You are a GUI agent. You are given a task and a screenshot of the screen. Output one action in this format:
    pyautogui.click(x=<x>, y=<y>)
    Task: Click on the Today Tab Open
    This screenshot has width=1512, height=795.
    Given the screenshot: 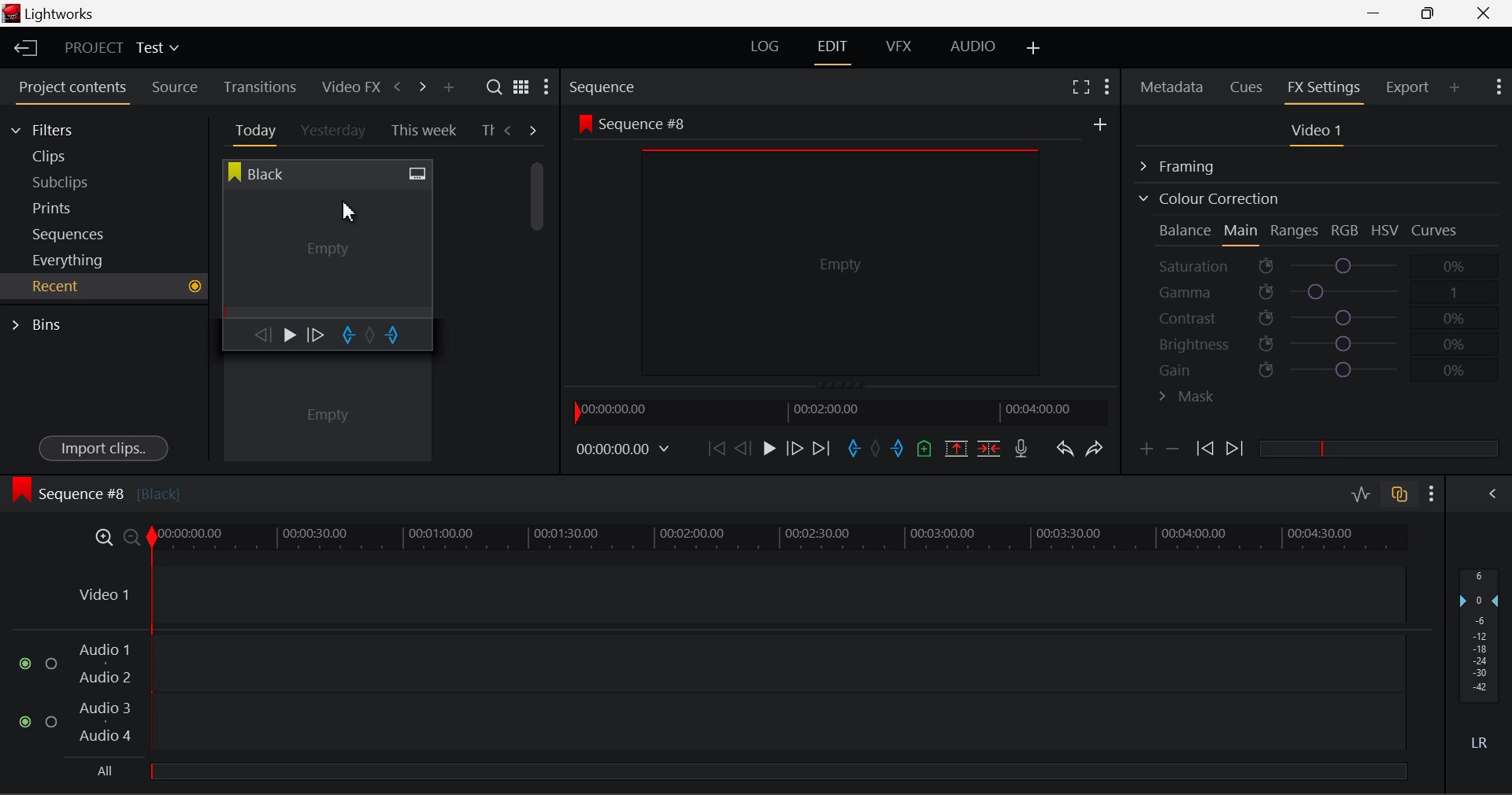 What is the action you would take?
    pyautogui.click(x=252, y=130)
    